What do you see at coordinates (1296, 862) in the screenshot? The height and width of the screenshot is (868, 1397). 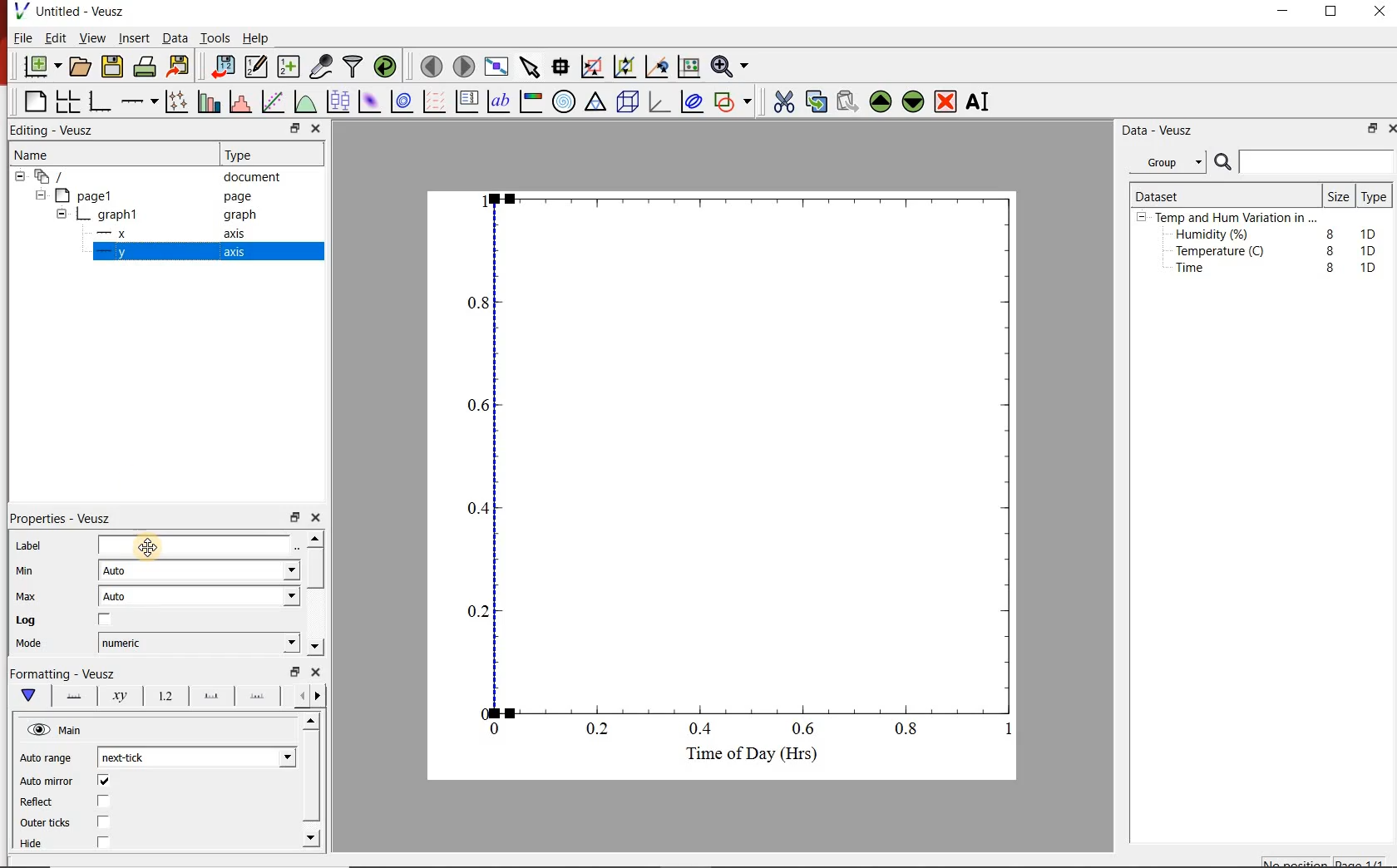 I see `No position` at bounding box center [1296, 862].